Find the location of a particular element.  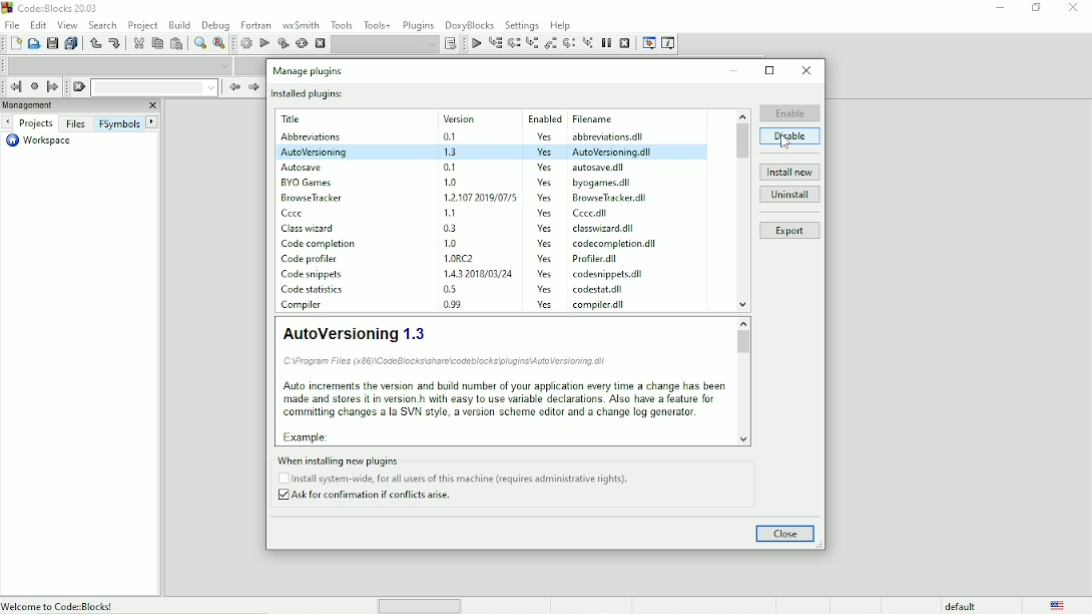

Compiler.dll is located at coordinates (602, 305).